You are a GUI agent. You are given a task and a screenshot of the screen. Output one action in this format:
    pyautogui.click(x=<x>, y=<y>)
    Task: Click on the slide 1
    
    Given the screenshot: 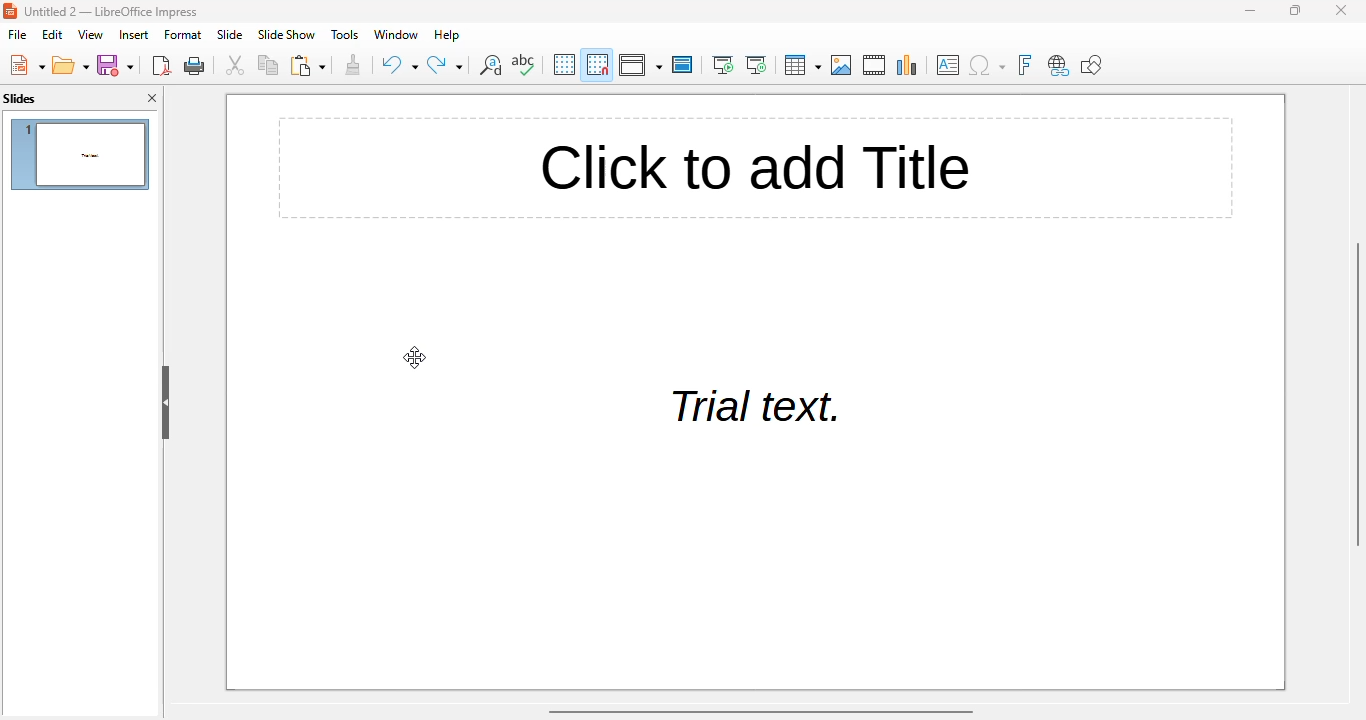 What is the action you would take?
    pyautogui.click(x=79, y=155)
    